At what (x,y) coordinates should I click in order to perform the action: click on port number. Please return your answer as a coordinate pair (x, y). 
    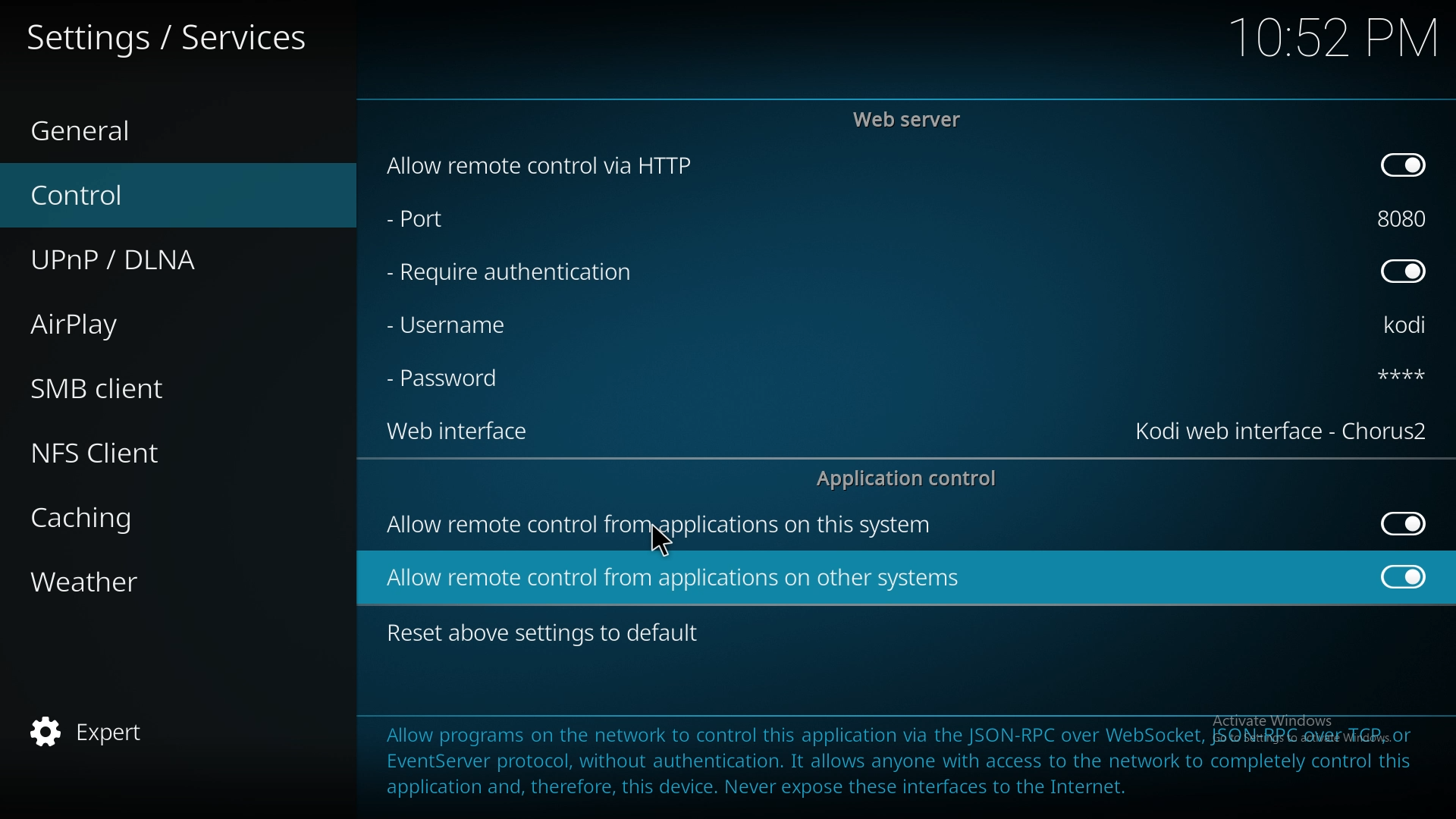
    Looking at the image, I should click on (1403, 218).